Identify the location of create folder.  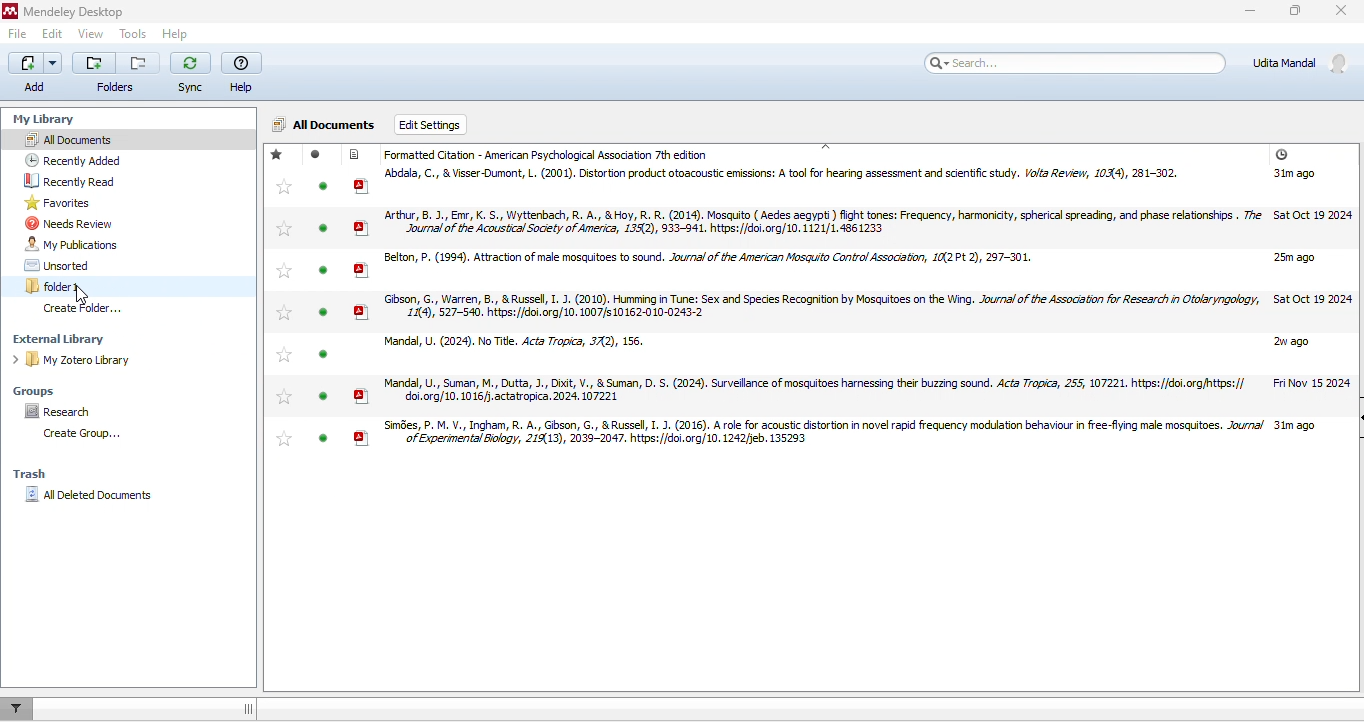
(98, 308).